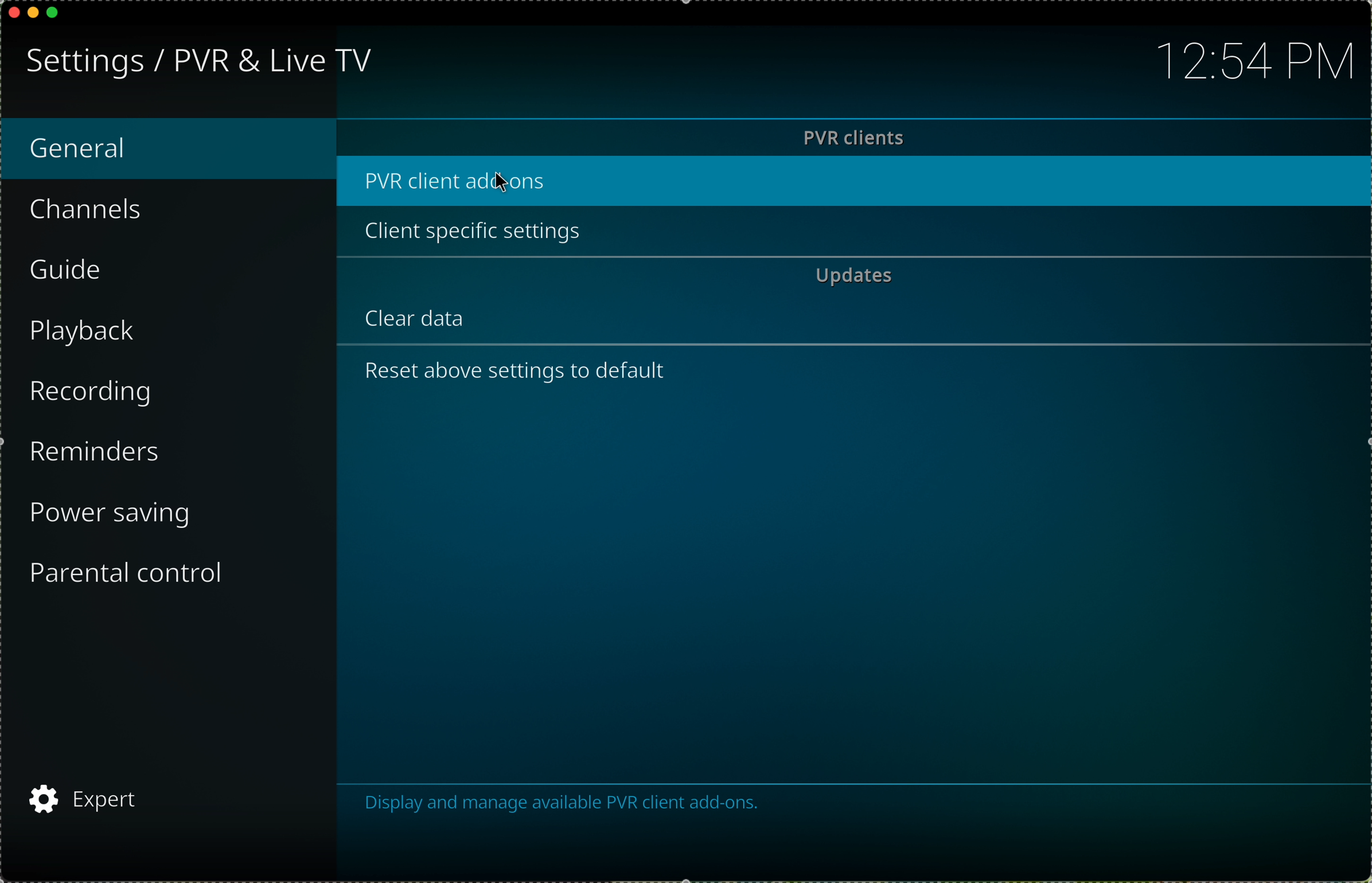 This screenshot has width=1372, height=883. What do you see at coordinates (855, 139) in the screenshot?
I see `PVR clients` at bounding box center [855, 139].